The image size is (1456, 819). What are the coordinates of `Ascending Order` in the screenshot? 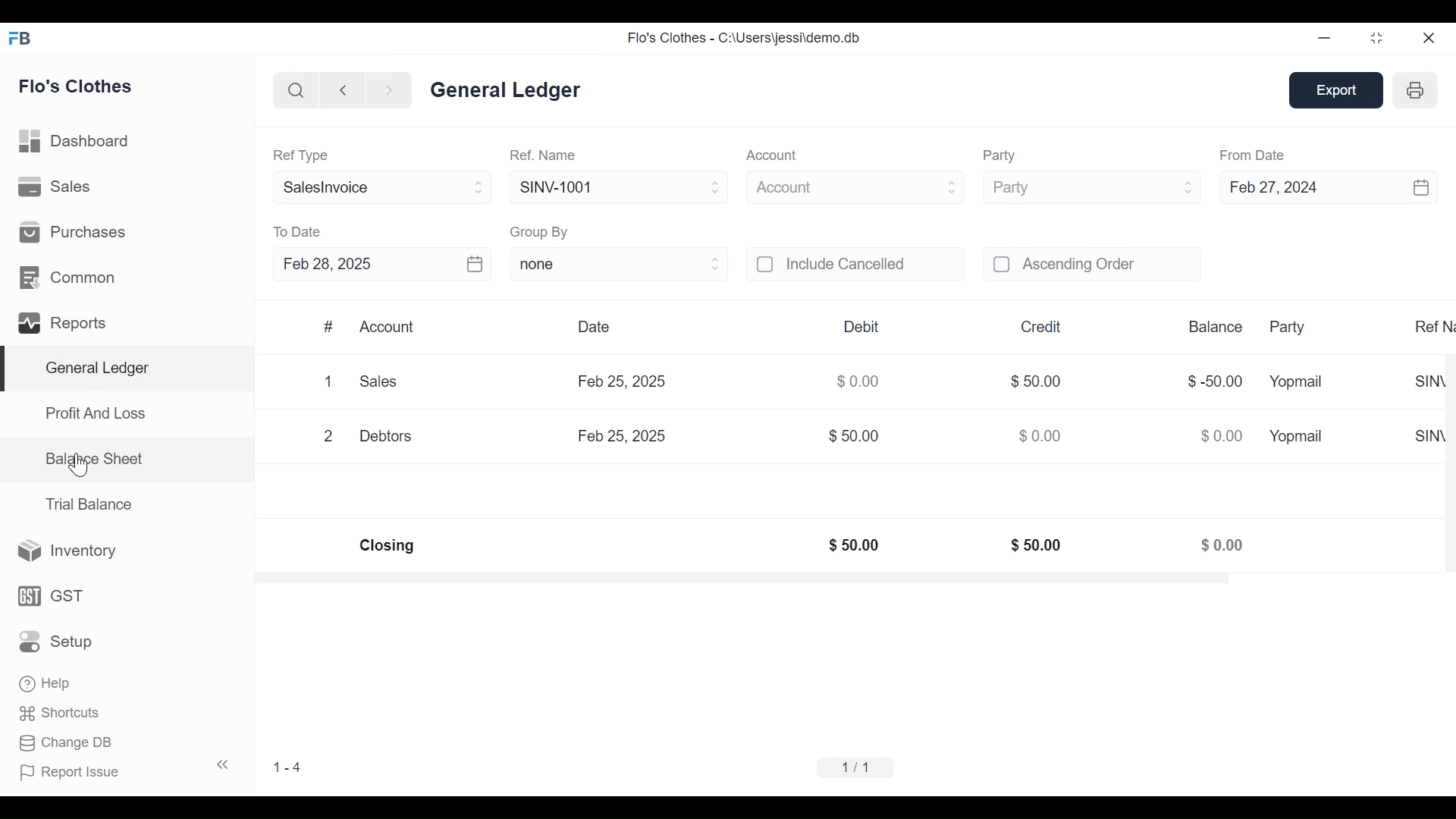 It's located at (1110, 265).